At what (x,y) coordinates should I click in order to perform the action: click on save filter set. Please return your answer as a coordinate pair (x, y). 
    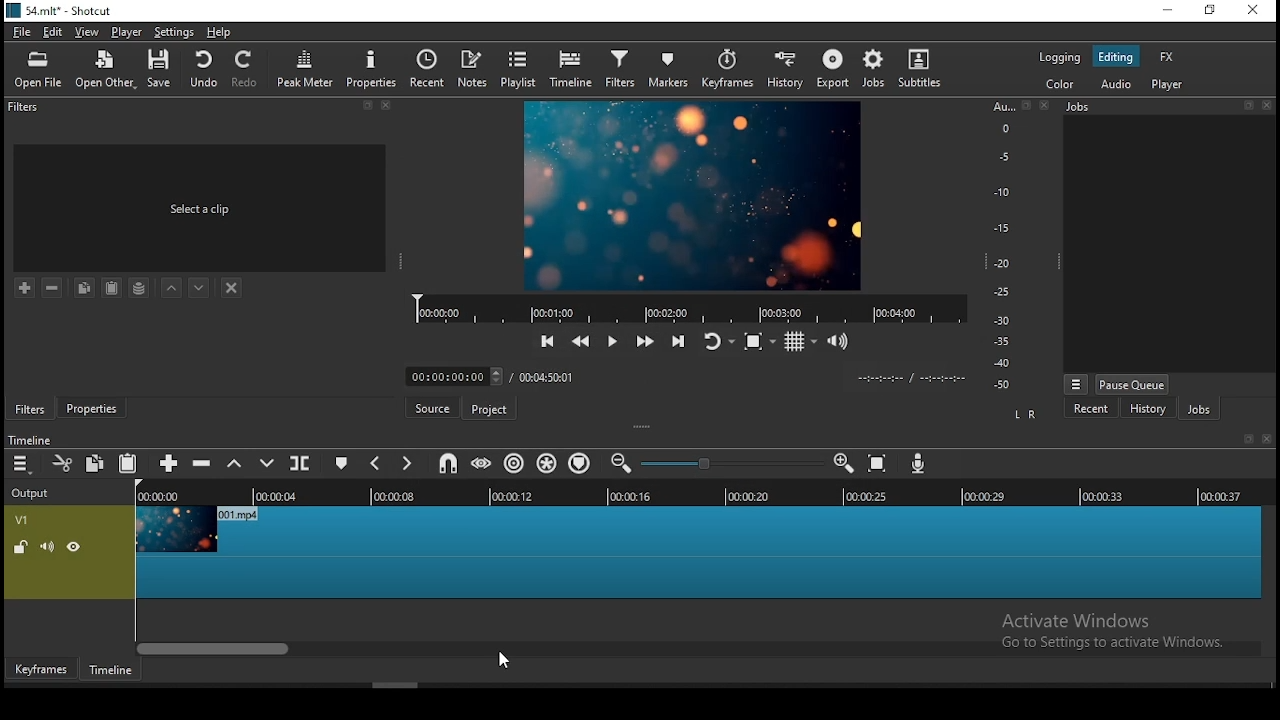
    Looking at the image, I should click on (139, 285).